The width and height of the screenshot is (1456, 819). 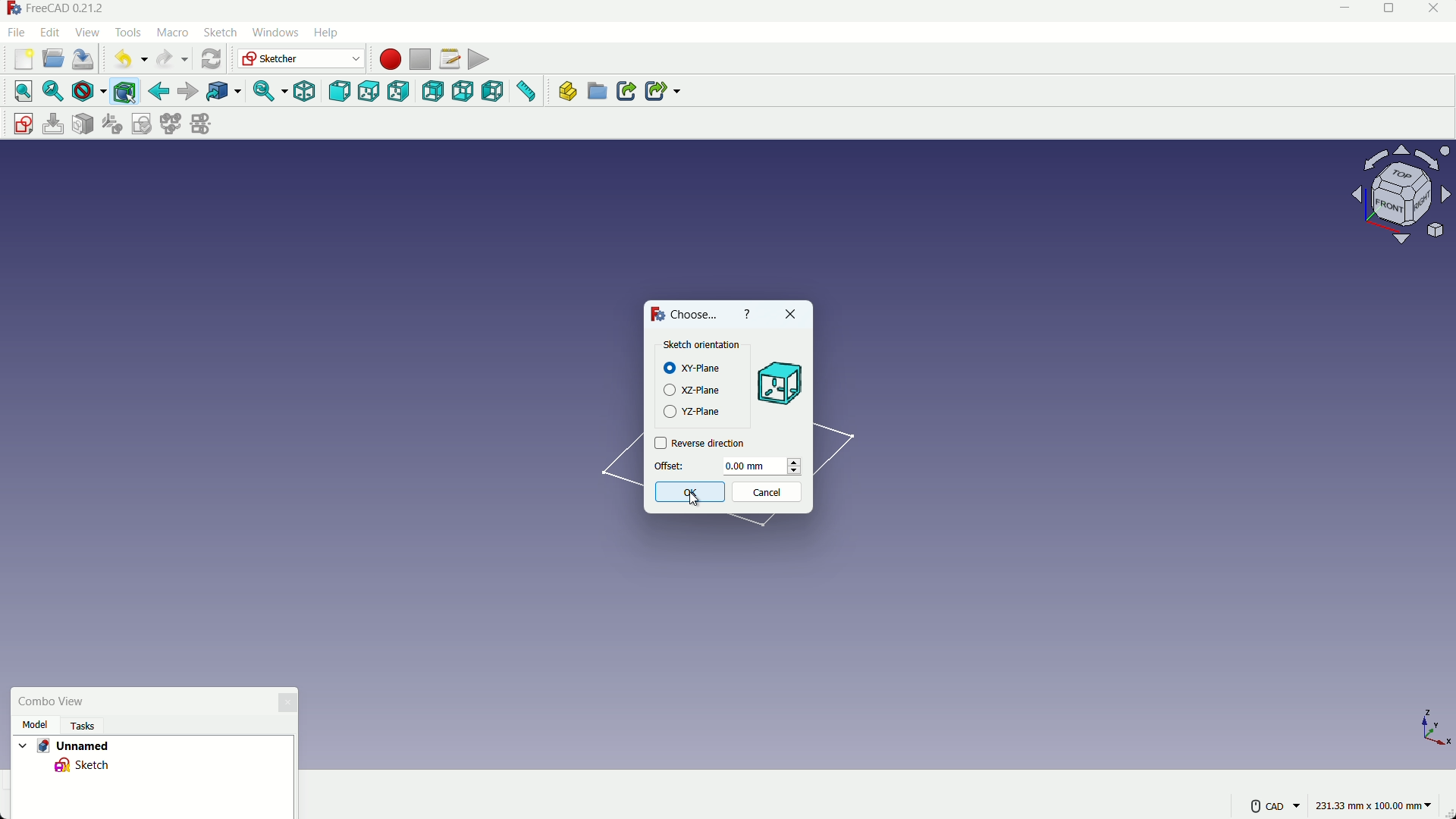 What do you see at coordinates (51, 31) in the screenshot?
I see `edit menu` at bounding box center [51, 31].